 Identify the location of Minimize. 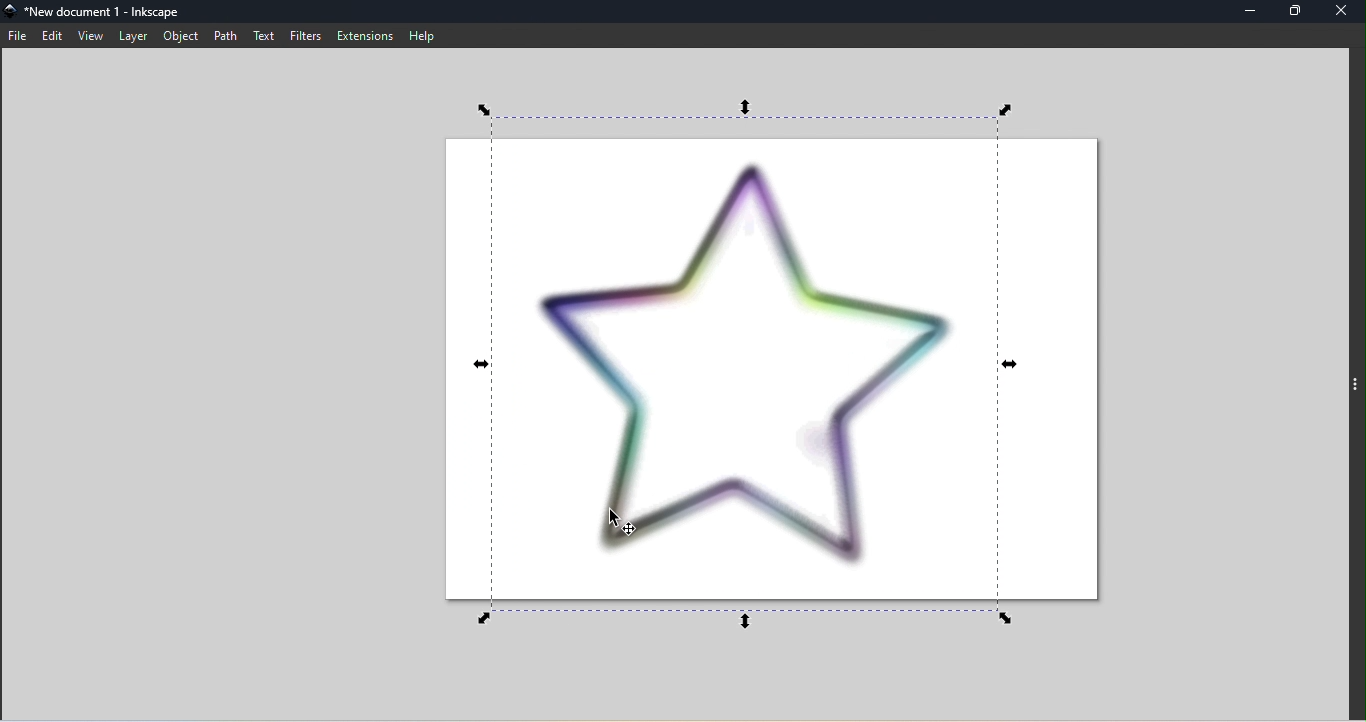
(1252, 12).